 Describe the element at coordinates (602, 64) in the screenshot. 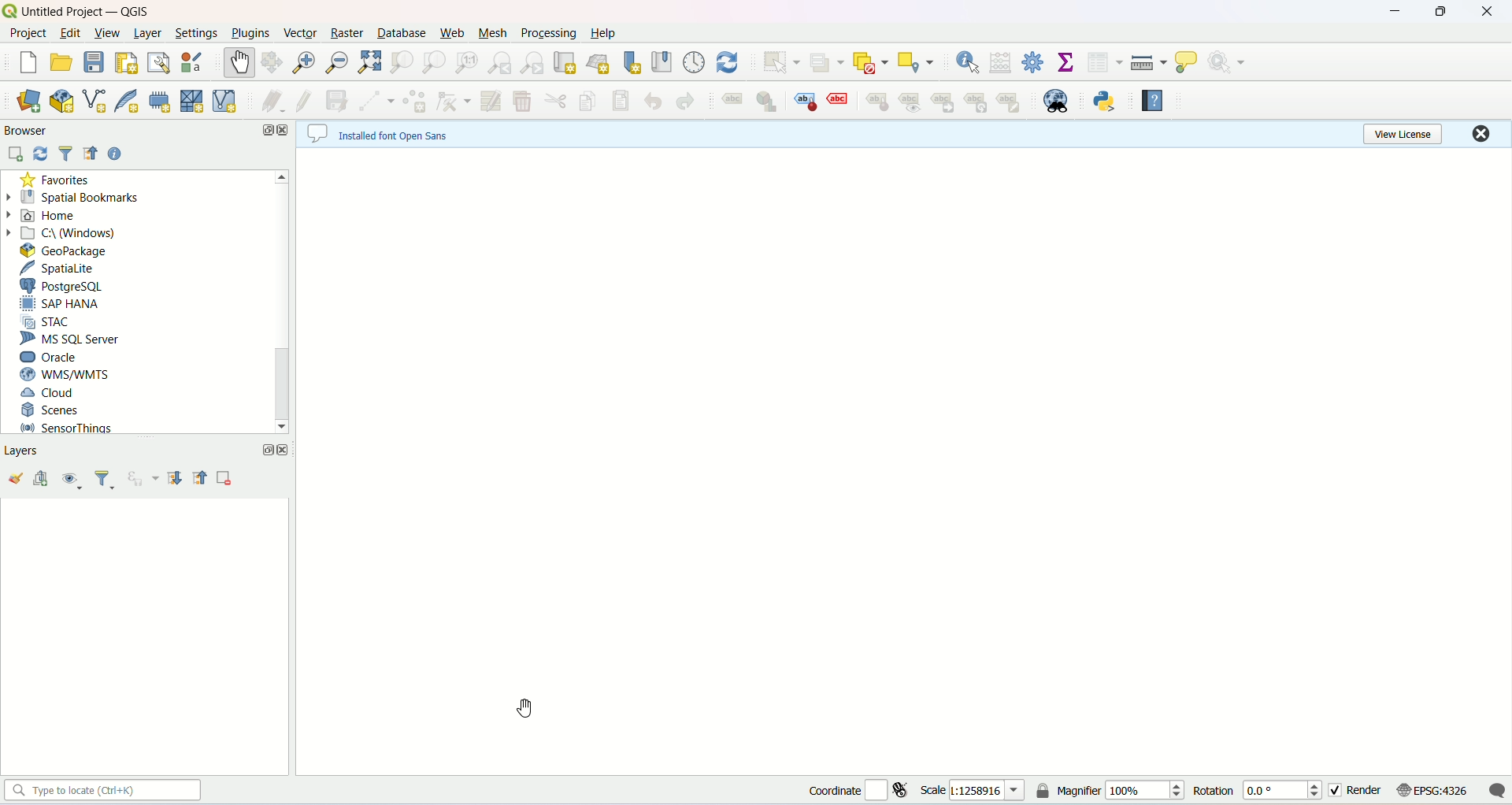

I see `3D map view` at that location.